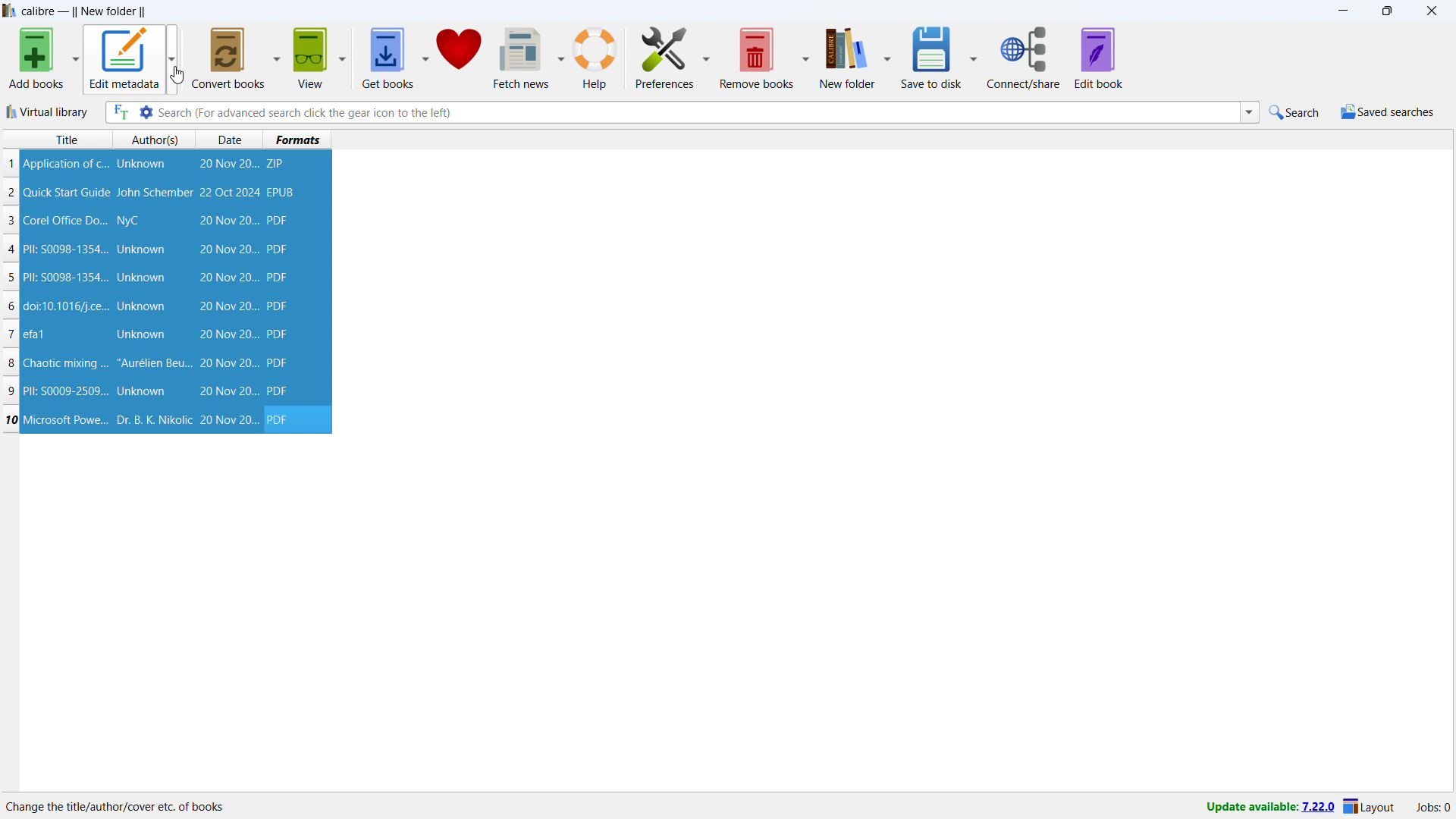 The image size is (1456, 819). Describe the element at coordinates (66, 419) in the screenshot. I see `Microsoft Powe...` at that location.